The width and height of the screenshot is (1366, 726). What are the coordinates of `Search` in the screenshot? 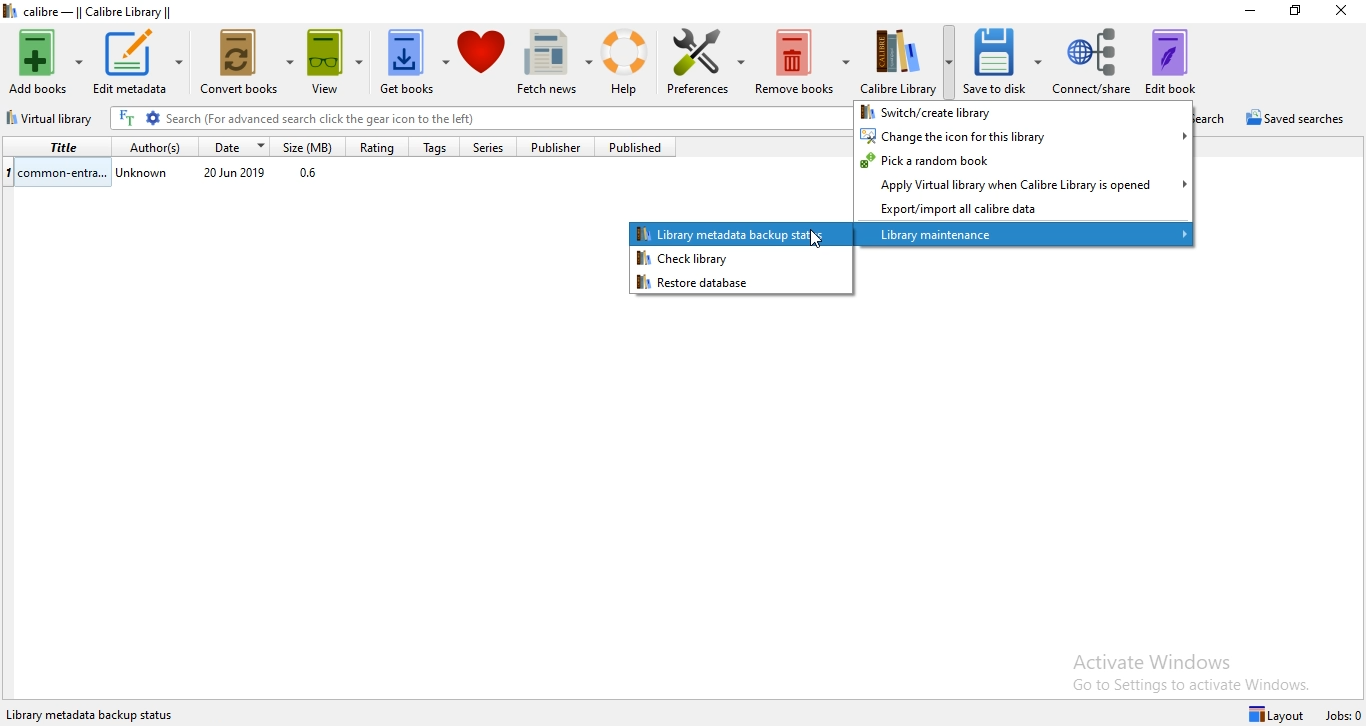 It's located at (1218, 118).